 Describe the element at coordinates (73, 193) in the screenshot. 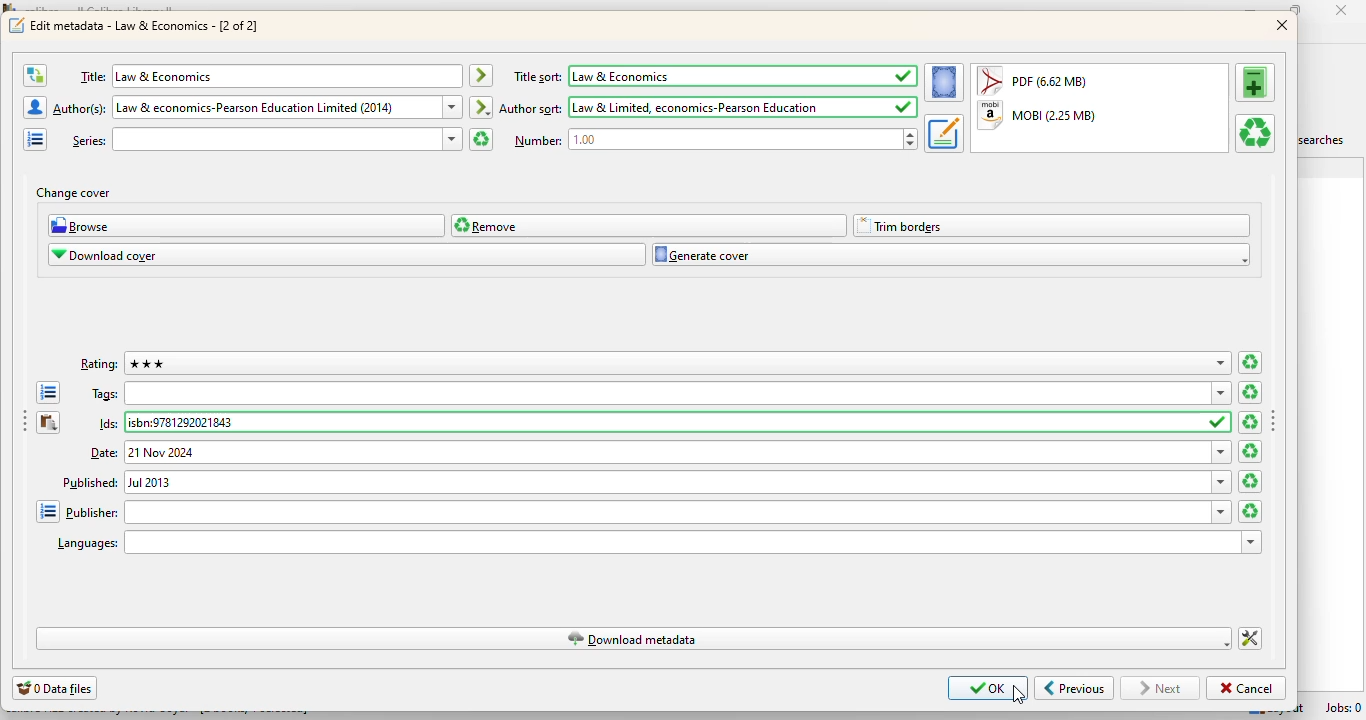

I see `change cover` at that location.